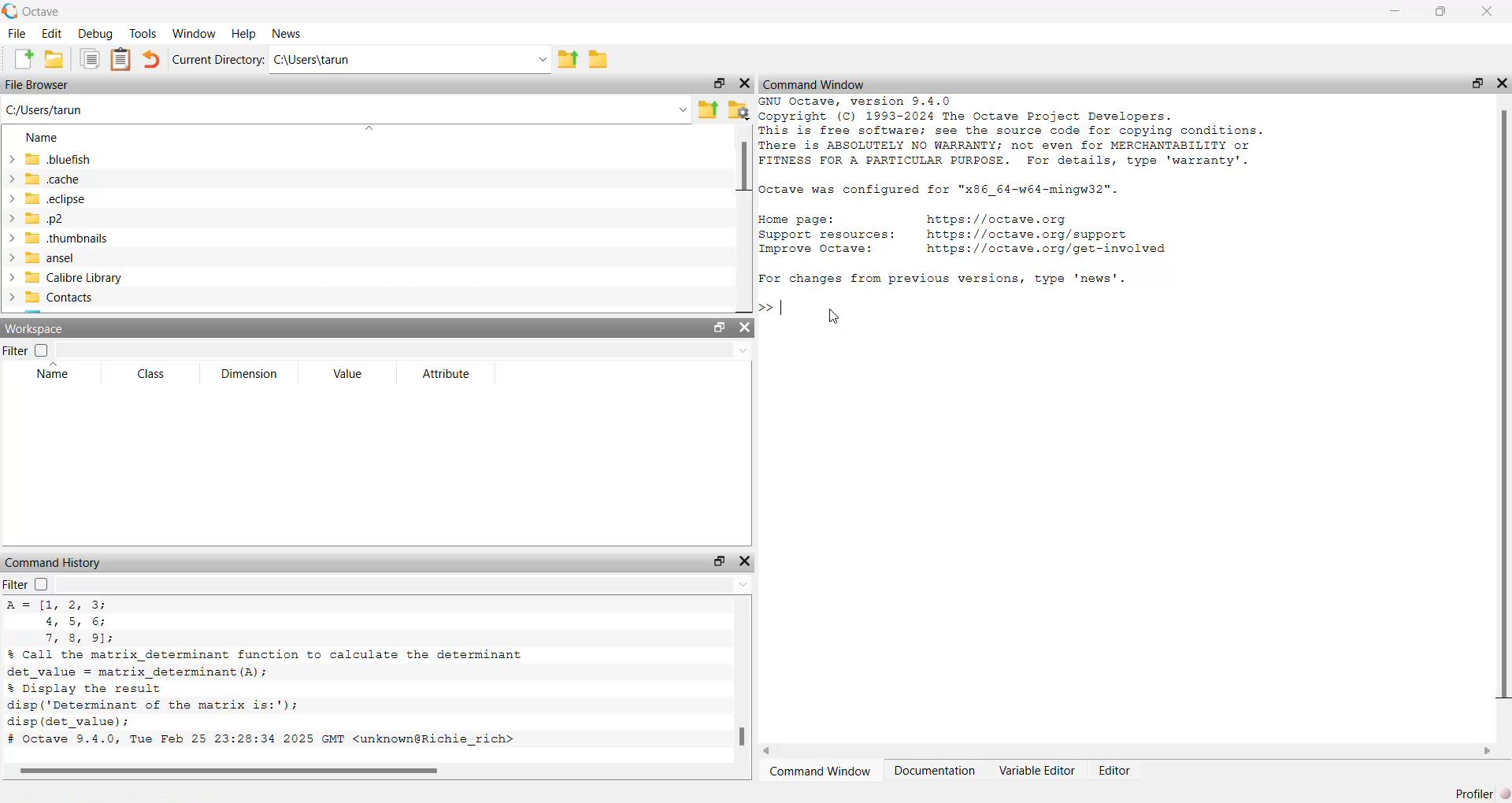  I want to click on Documentation, so click(935, 770).